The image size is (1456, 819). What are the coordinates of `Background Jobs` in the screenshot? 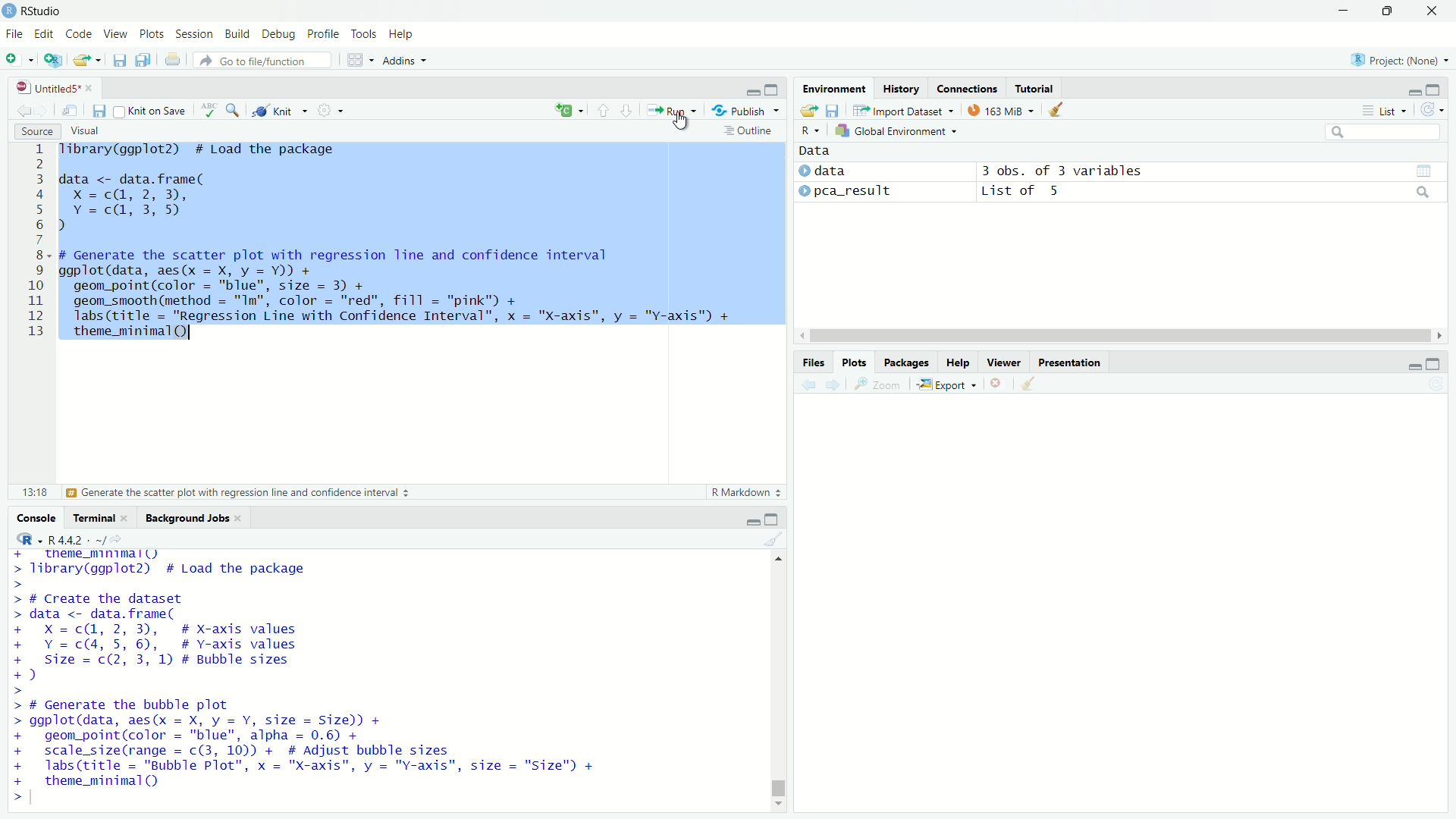 It's located at (185, 519).